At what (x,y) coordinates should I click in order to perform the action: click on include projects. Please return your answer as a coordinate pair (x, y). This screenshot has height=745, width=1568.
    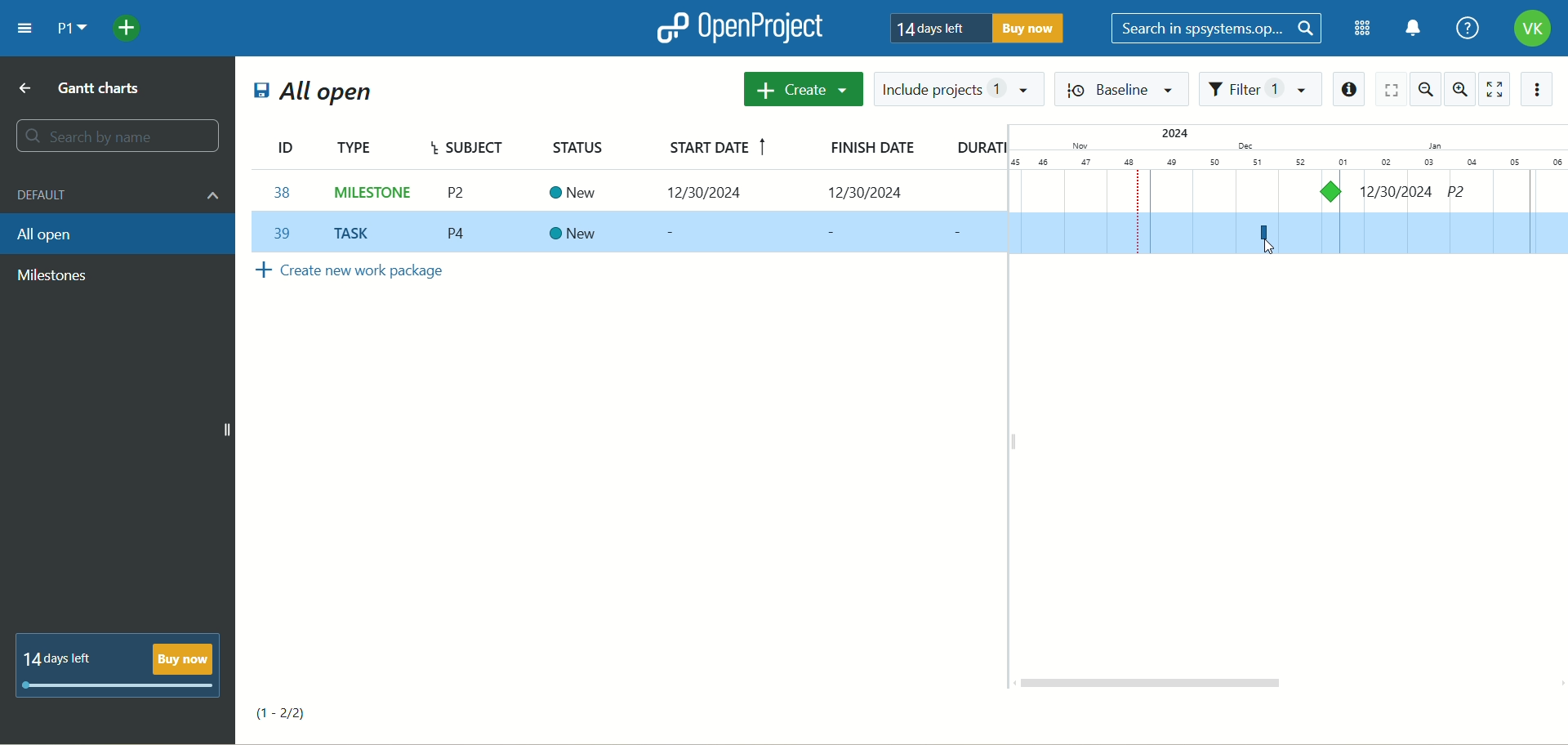
    Looking at the image, I should click on (961, 89).